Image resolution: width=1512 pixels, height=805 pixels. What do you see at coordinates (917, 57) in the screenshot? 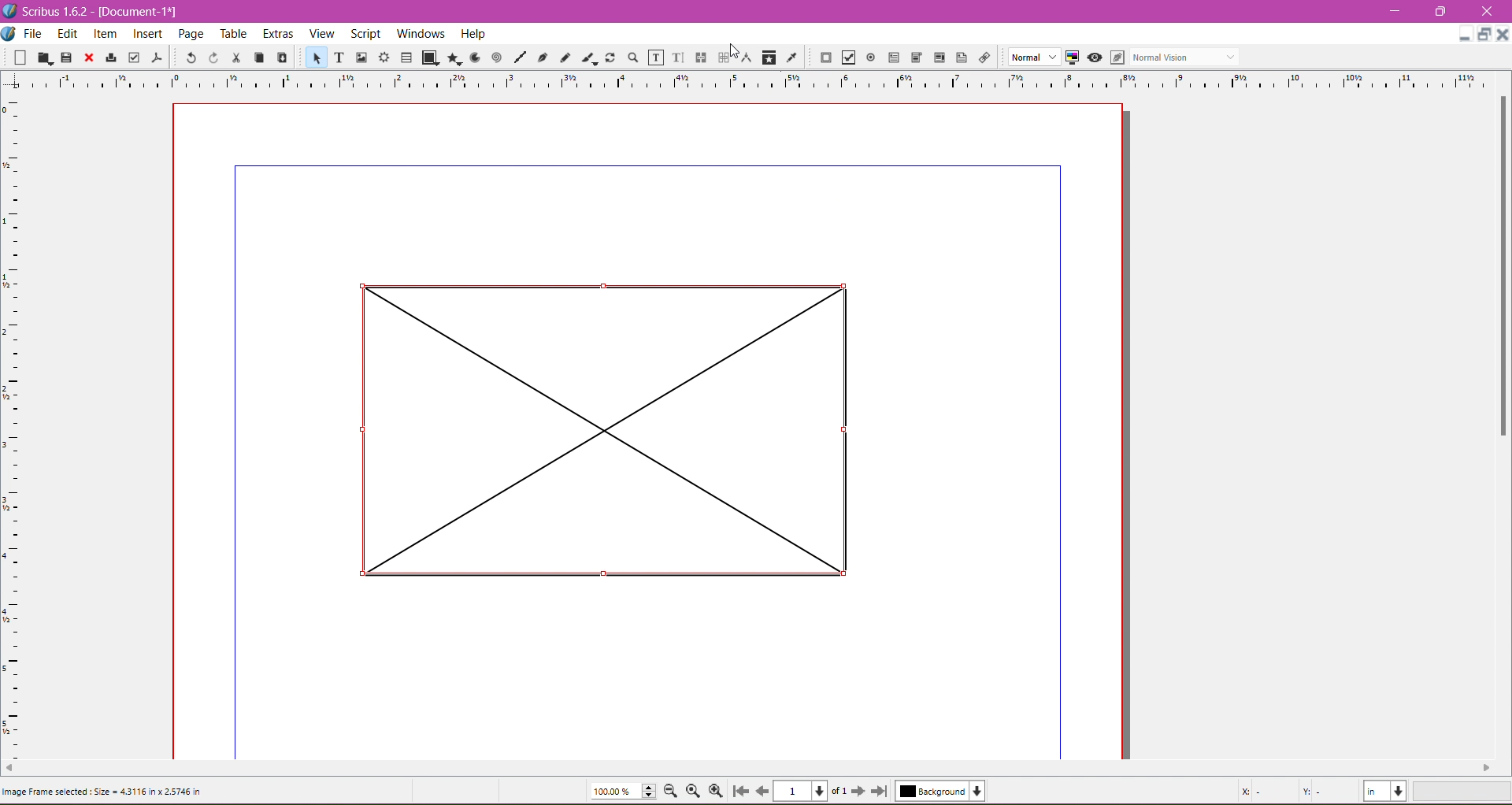
I see `PDF Combo Box` at bounding box center [917, 57].